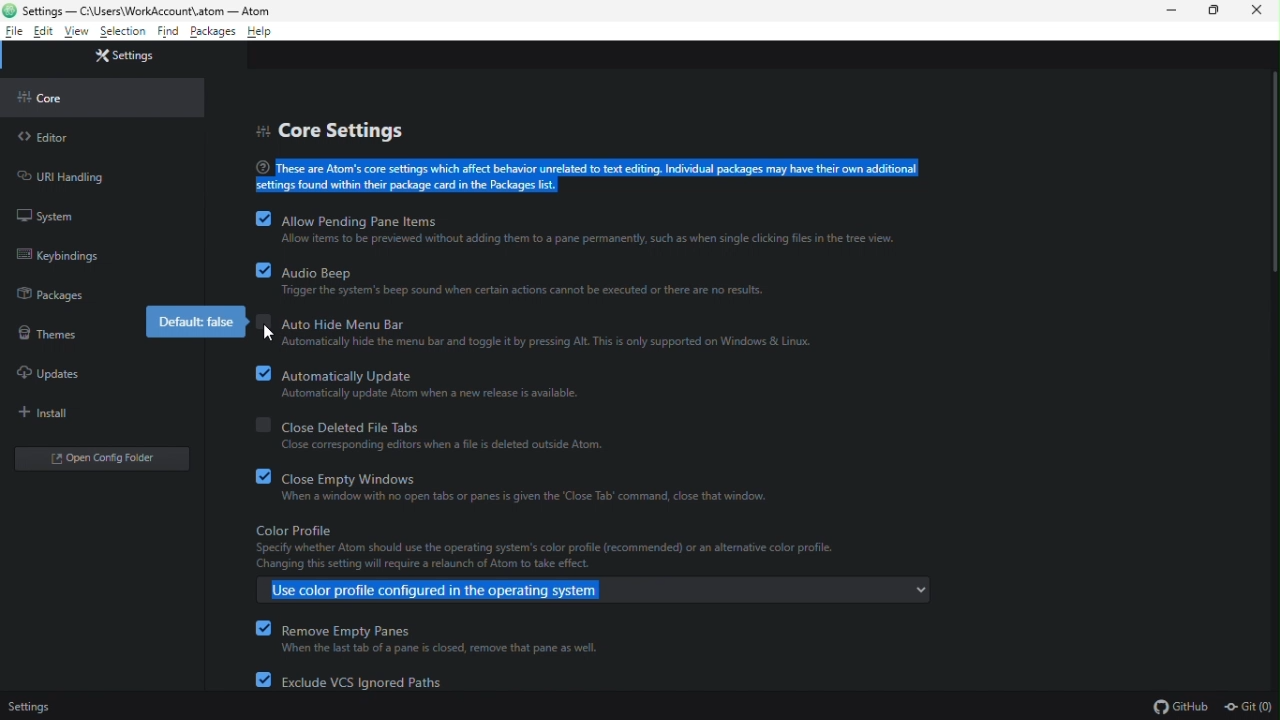 The image size is (1280, 720). What do you see at coordinates (573, 283) in the screenshot?
I see `Audio Beep
Tigger the system's beep sound when certain actions cannot be executed or there are no results.` at bounding box center [573, 283].